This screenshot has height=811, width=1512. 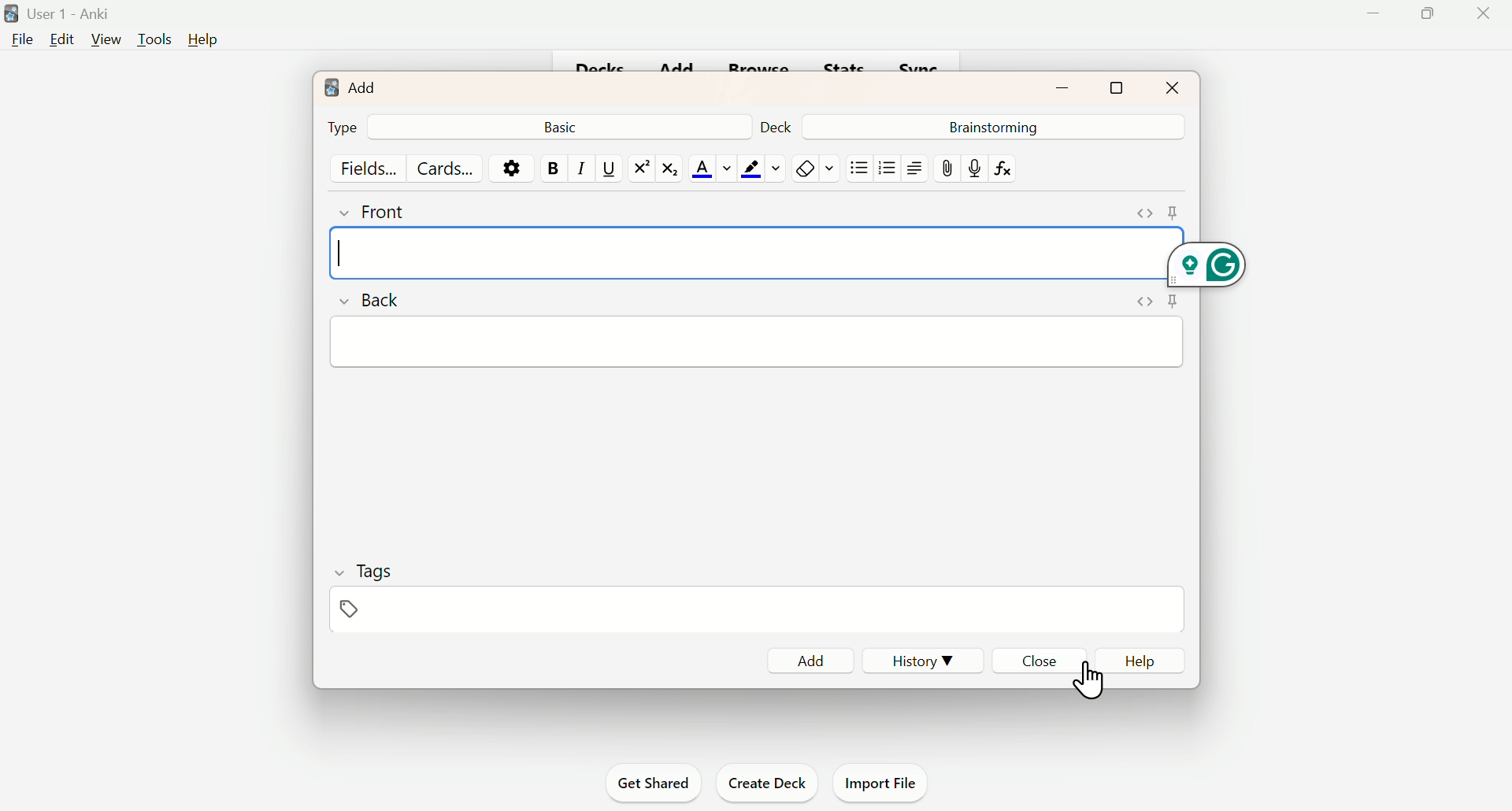 I want to click on User 1 - Anki, so click(x=60, y=13).